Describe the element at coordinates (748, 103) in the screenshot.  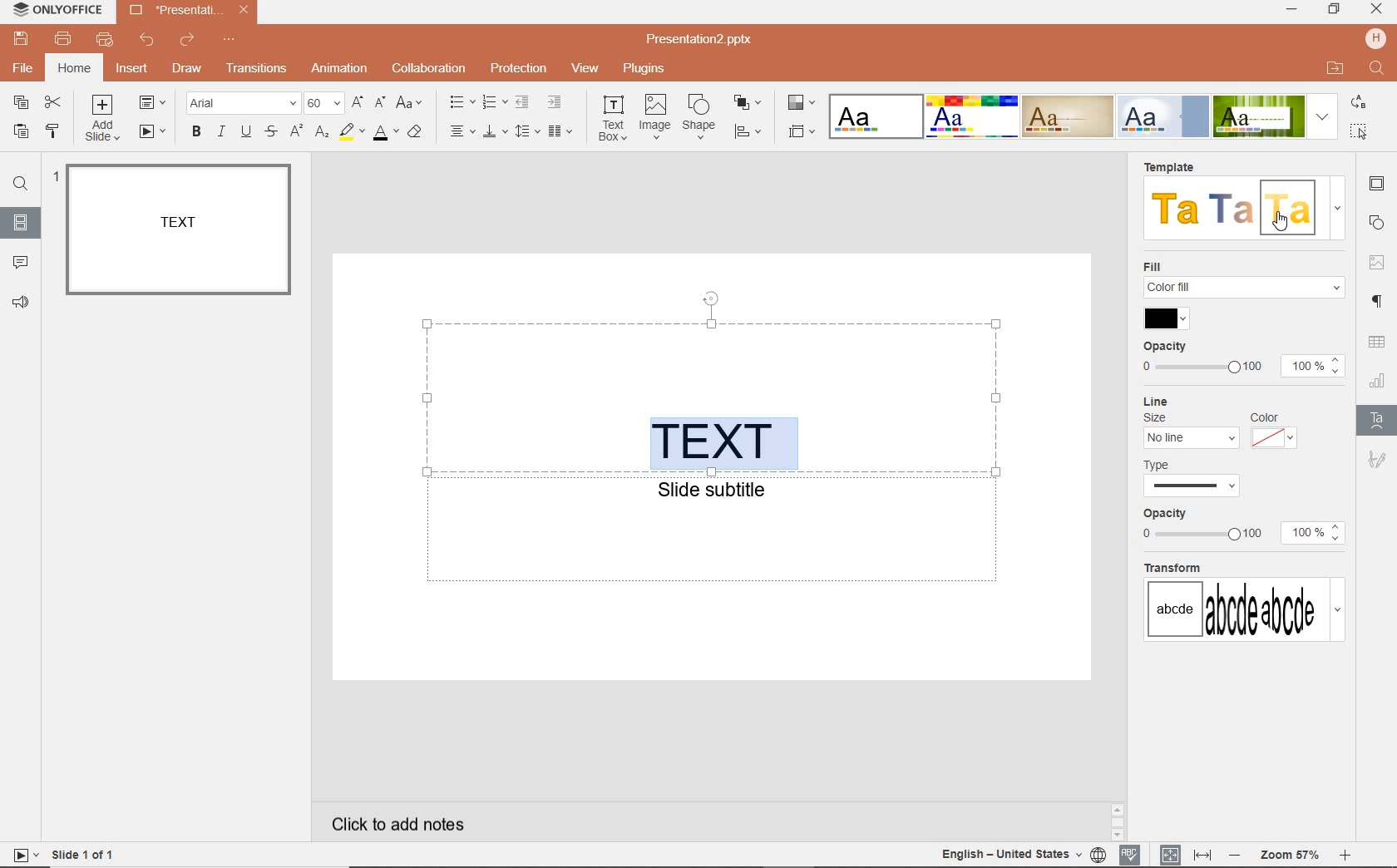
I see `ARRANGE SHAPE` at that location.